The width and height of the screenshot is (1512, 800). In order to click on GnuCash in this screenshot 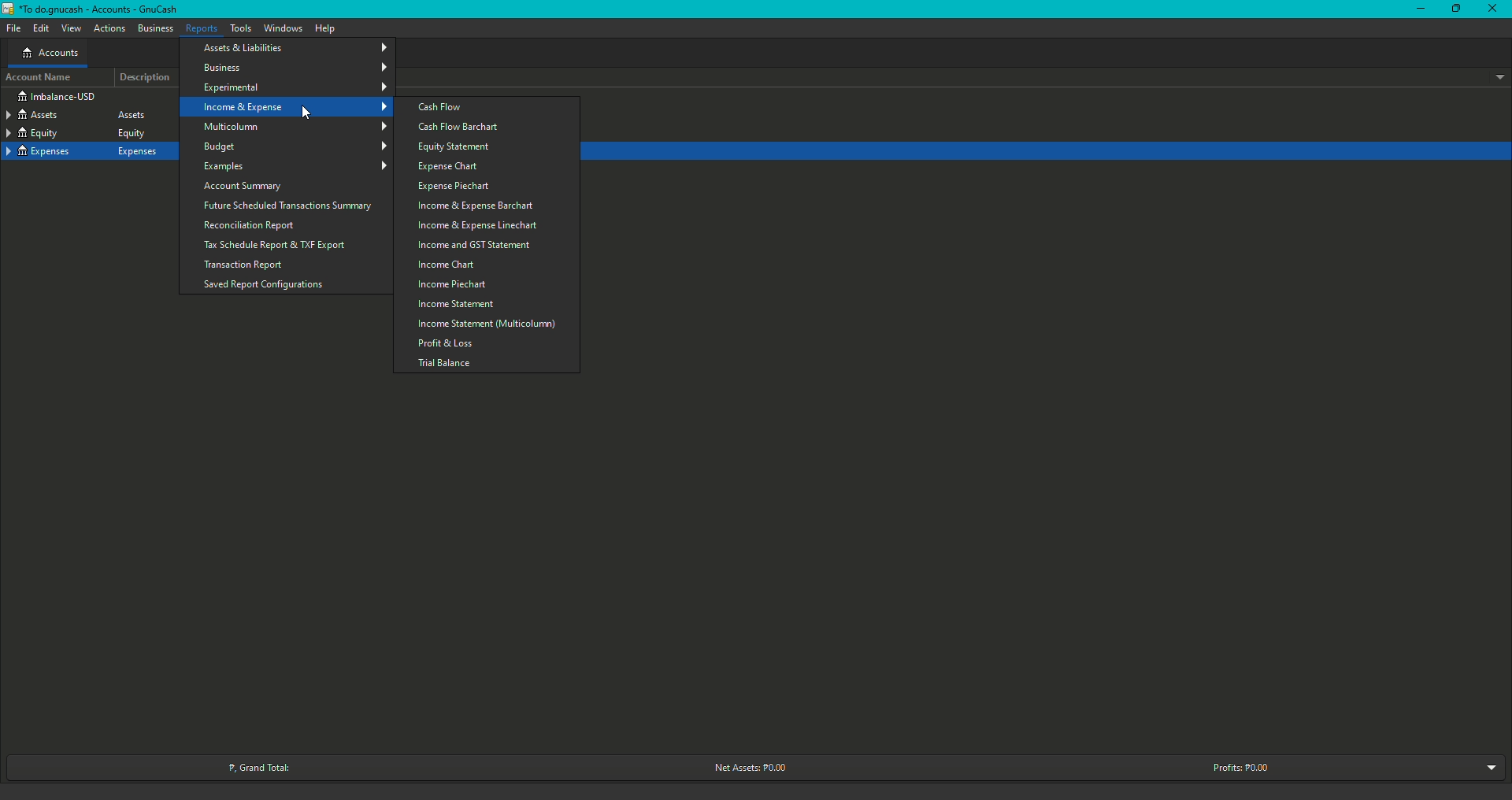, I will do `click(94, 9)`.